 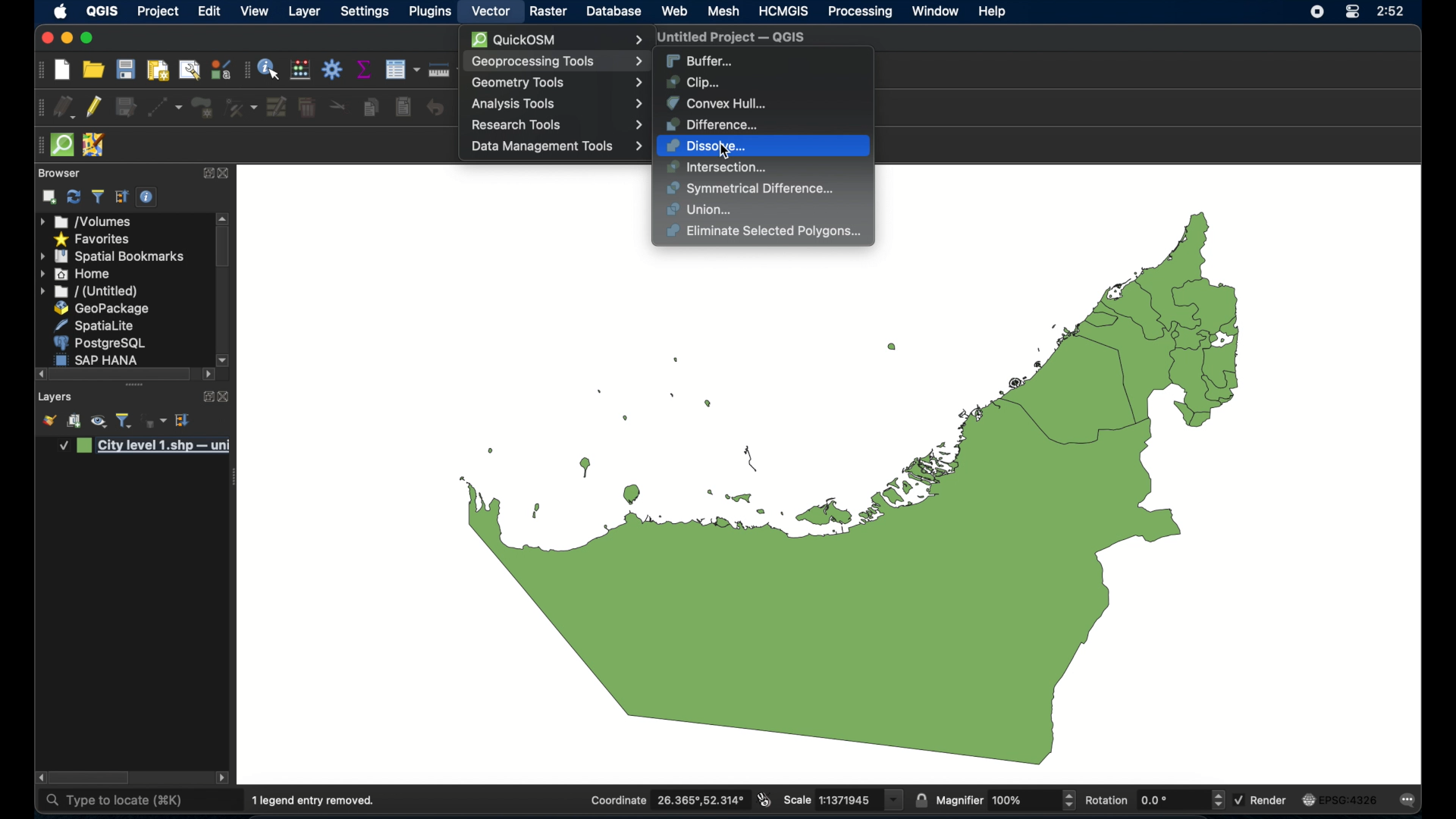 I want to click on edit, so click(x=209, y=11).